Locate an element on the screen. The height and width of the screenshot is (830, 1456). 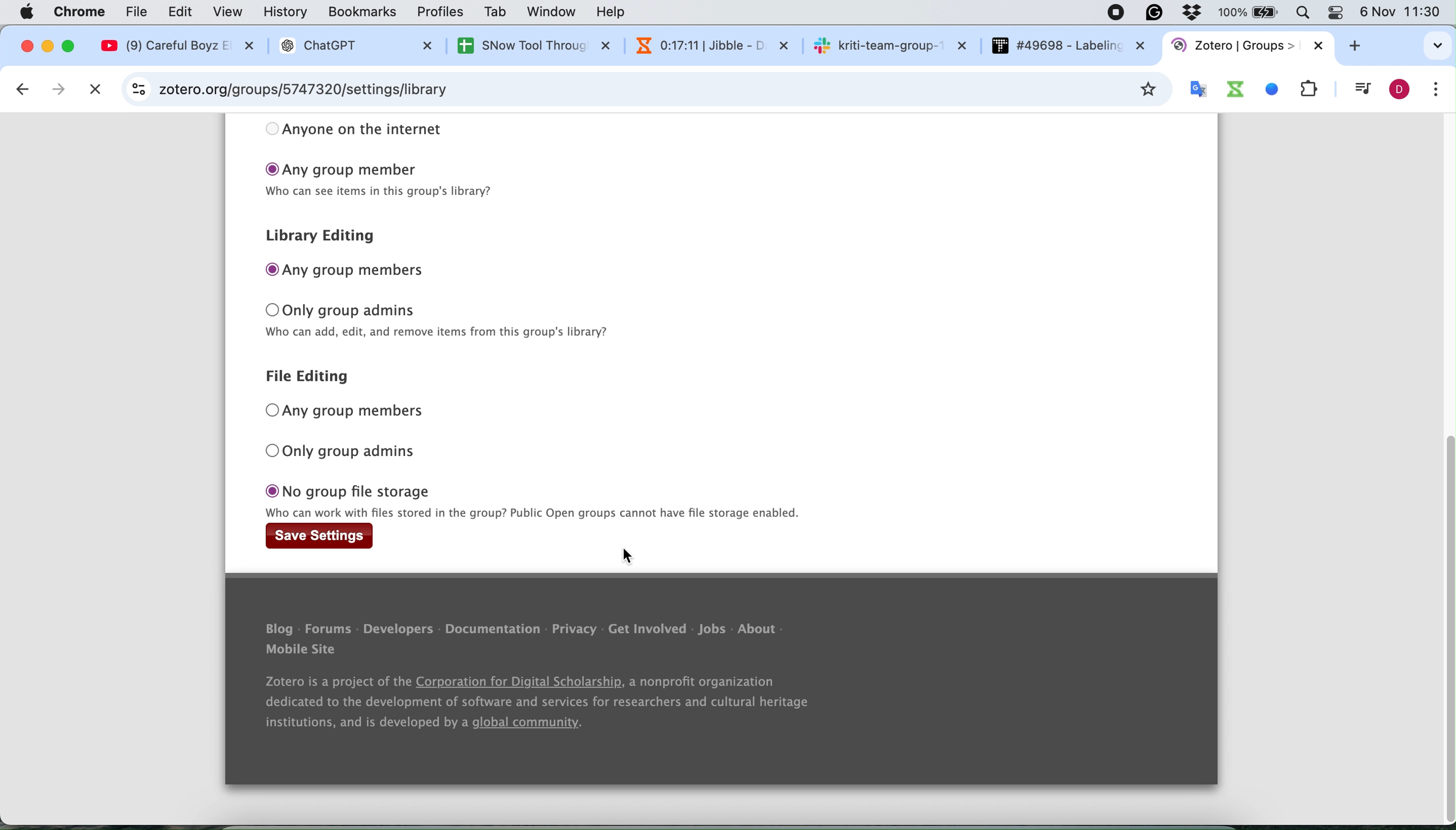
search tabs is located at coordinates (1419, 41).